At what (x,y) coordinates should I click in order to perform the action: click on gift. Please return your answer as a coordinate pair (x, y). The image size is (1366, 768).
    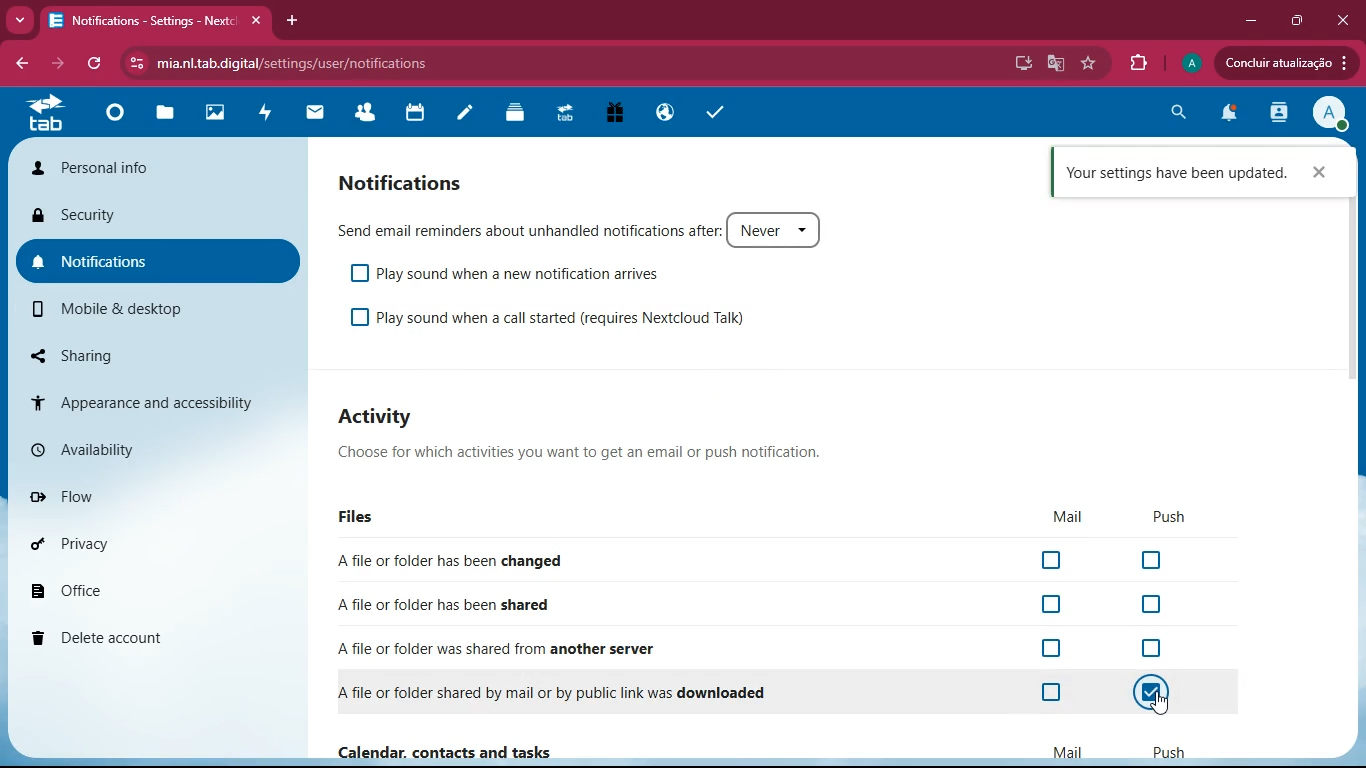
    Looking at the image, I should click on (609, 115).